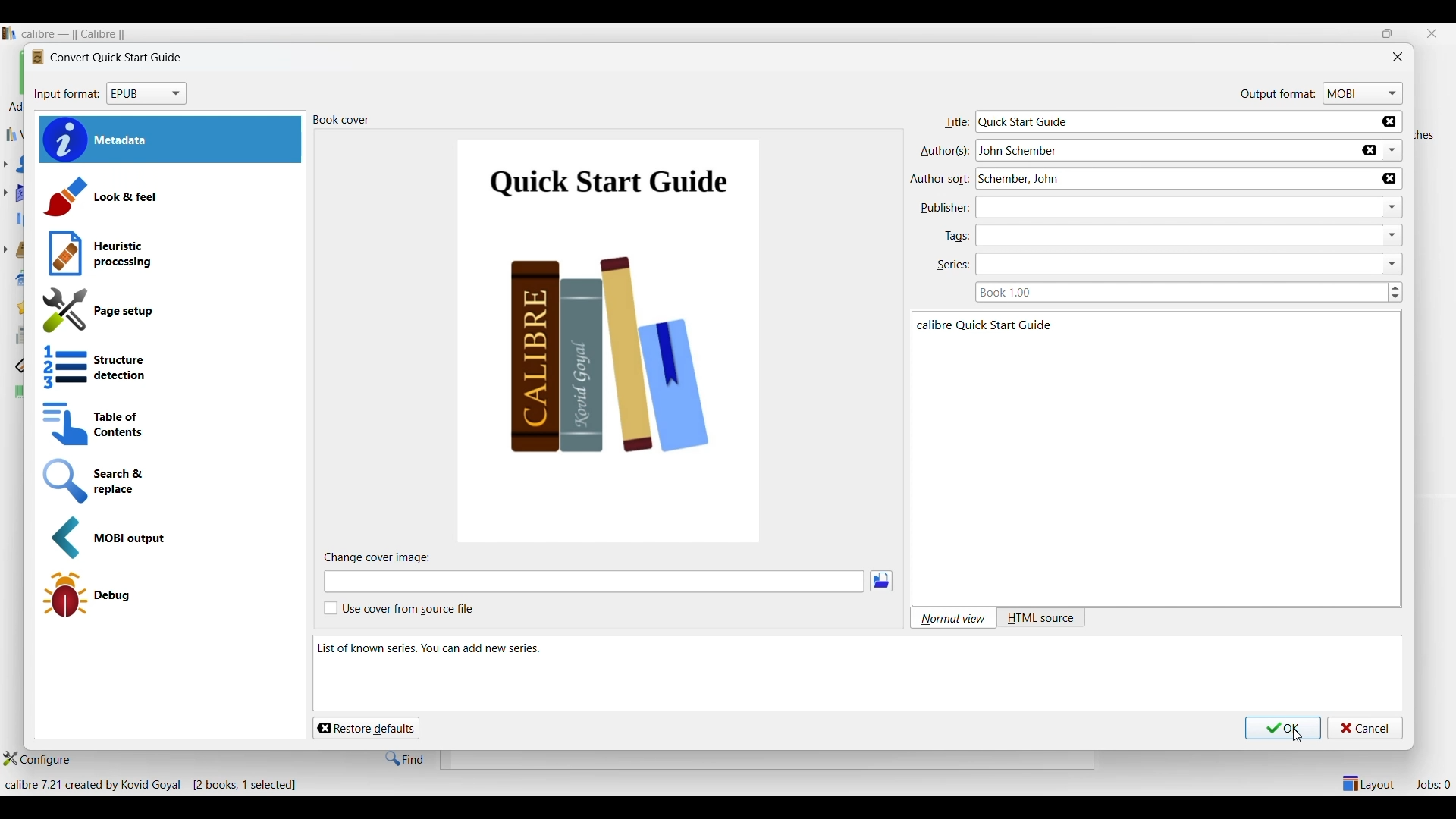 This screenshot has width=1456, height=819. I want to click on Debug, so click(167, 595).